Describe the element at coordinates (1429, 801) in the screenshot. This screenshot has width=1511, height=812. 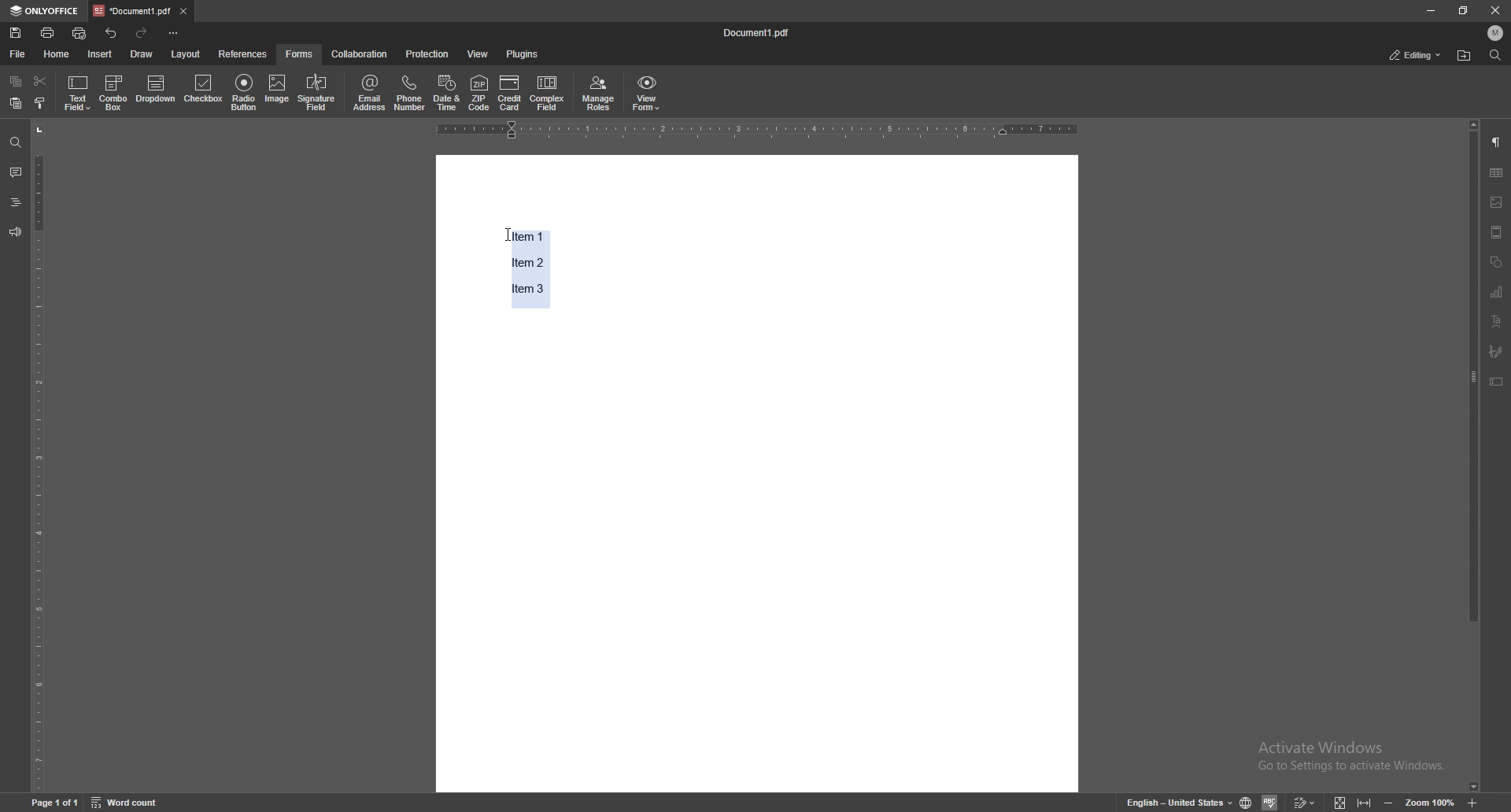
I see `zoom` at that location.